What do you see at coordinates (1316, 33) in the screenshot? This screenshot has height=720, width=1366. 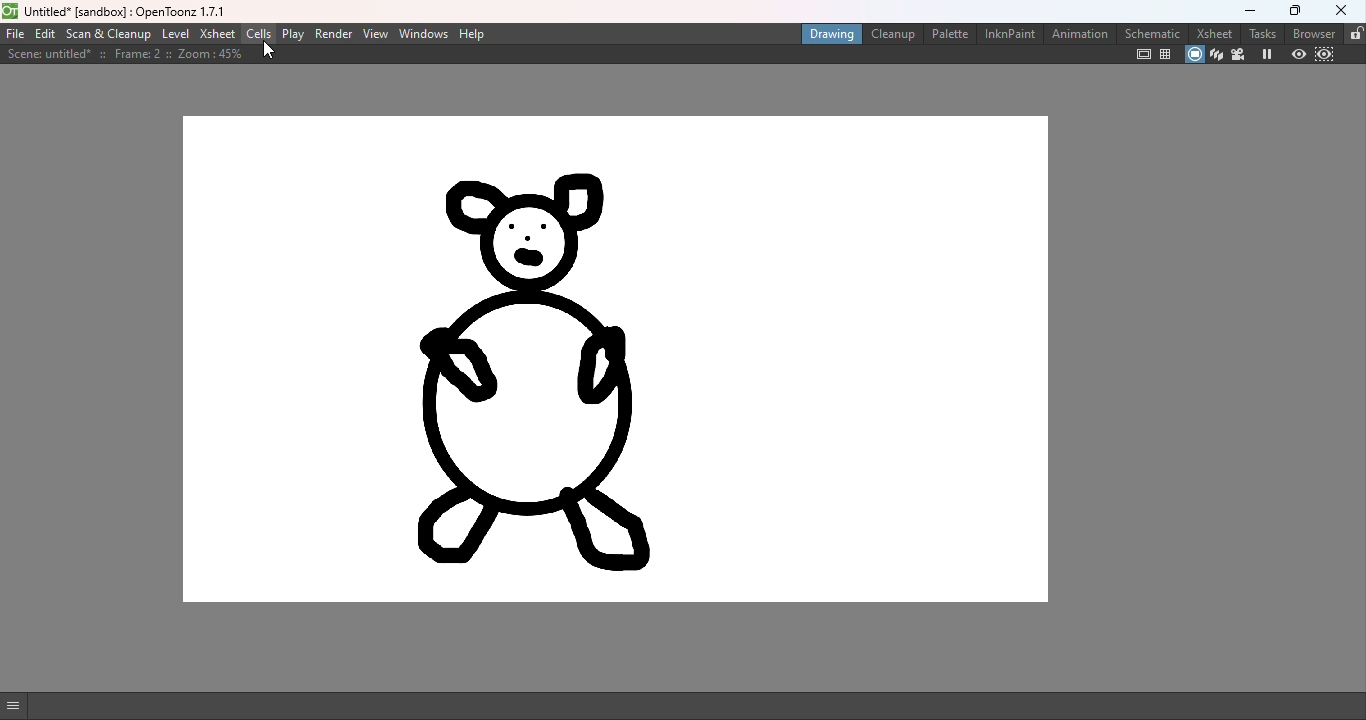 I see `Browser` at bounding box center [1316, 33].